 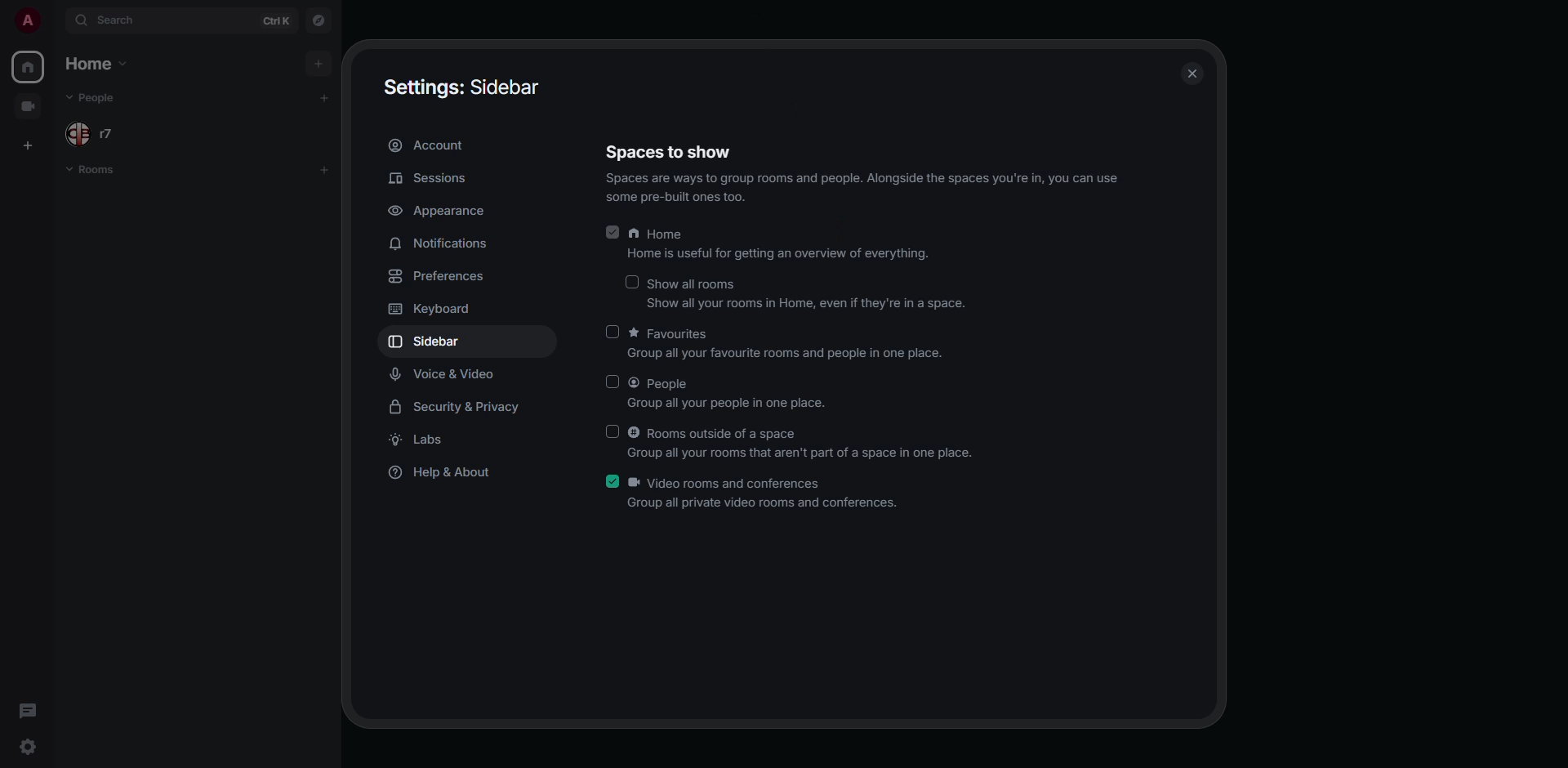 I want to click on Spaces are ways to group rooms and people. Alongside the spaces you're in, you can use
some pre-built ones too., so click(x=862, y=186).